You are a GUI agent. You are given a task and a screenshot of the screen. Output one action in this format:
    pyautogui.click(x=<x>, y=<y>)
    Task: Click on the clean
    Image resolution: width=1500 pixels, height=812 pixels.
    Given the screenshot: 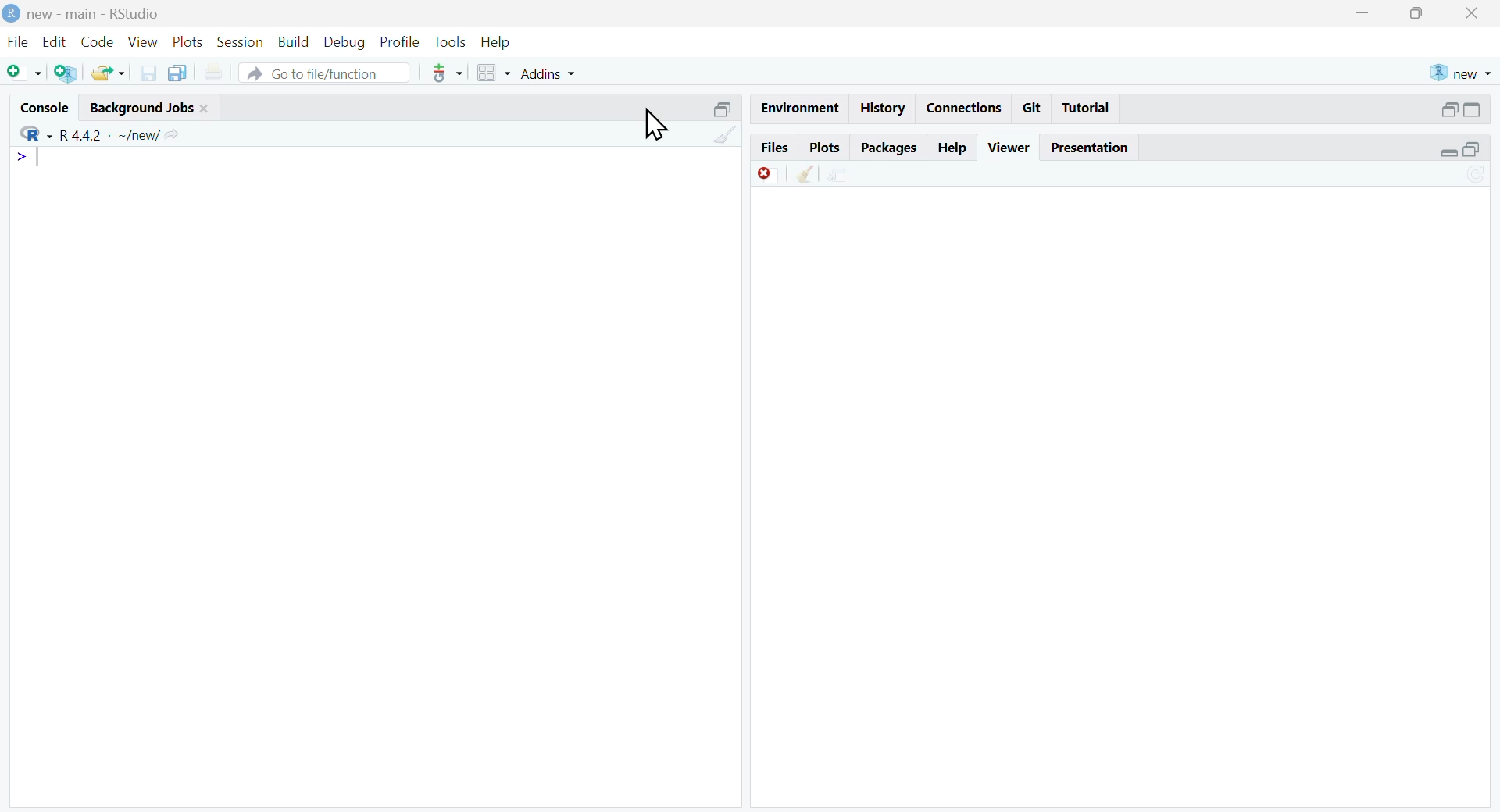 What is the action you would take?
    pyautogui.click(x=726, y=134)
    